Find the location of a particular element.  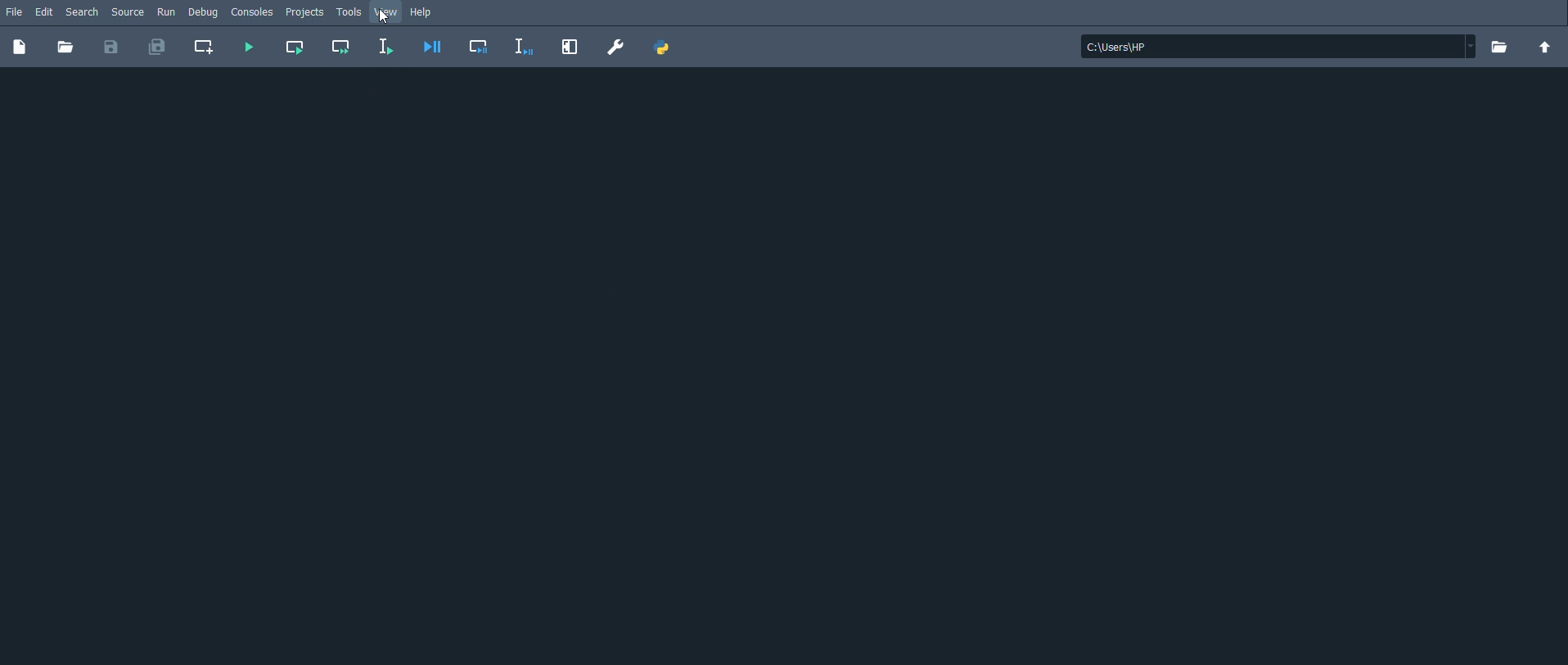

Save file is located at coordinates (110, 48).